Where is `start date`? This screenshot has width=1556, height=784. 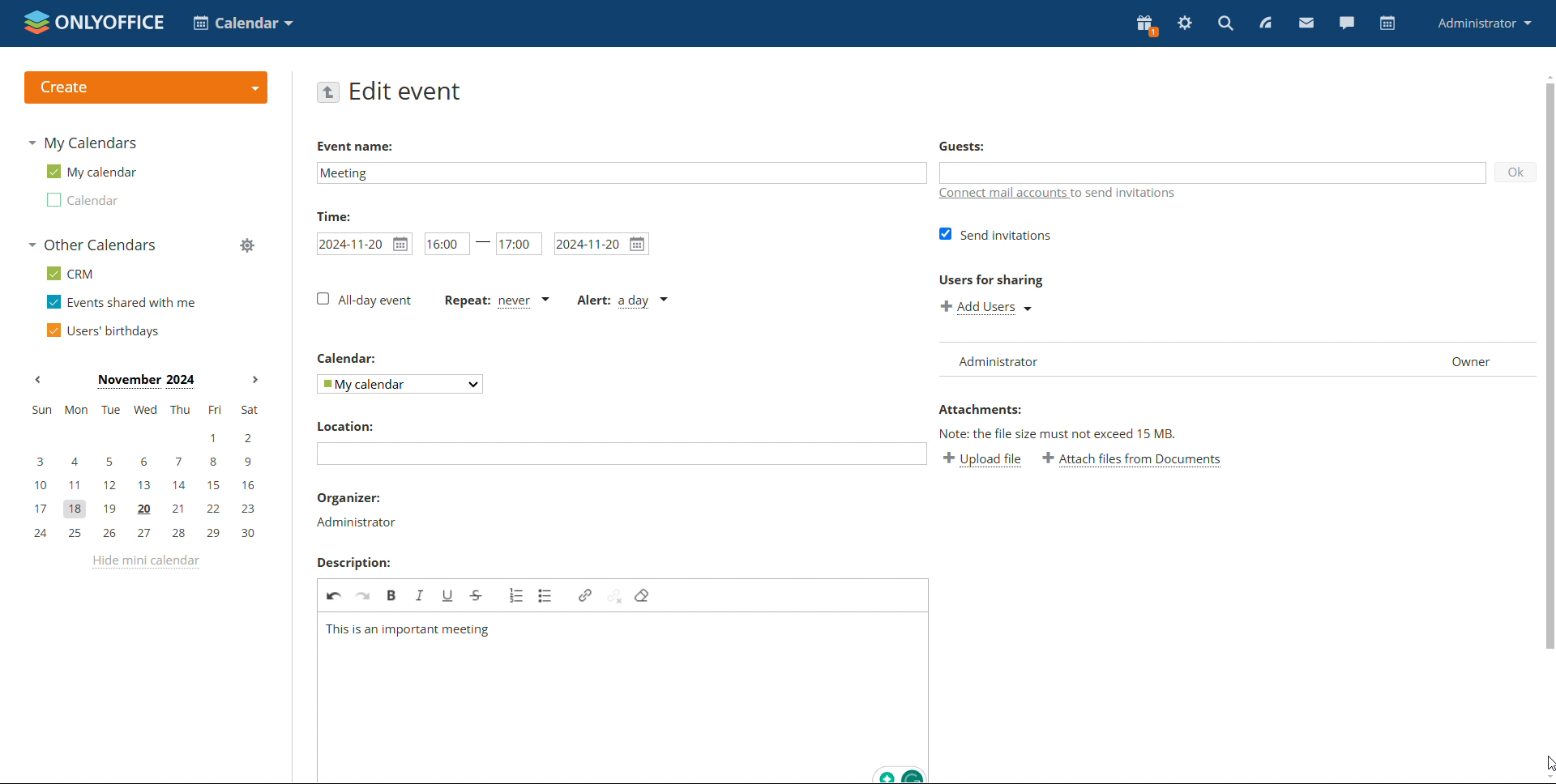 start date is located at coordinates (365, 245).